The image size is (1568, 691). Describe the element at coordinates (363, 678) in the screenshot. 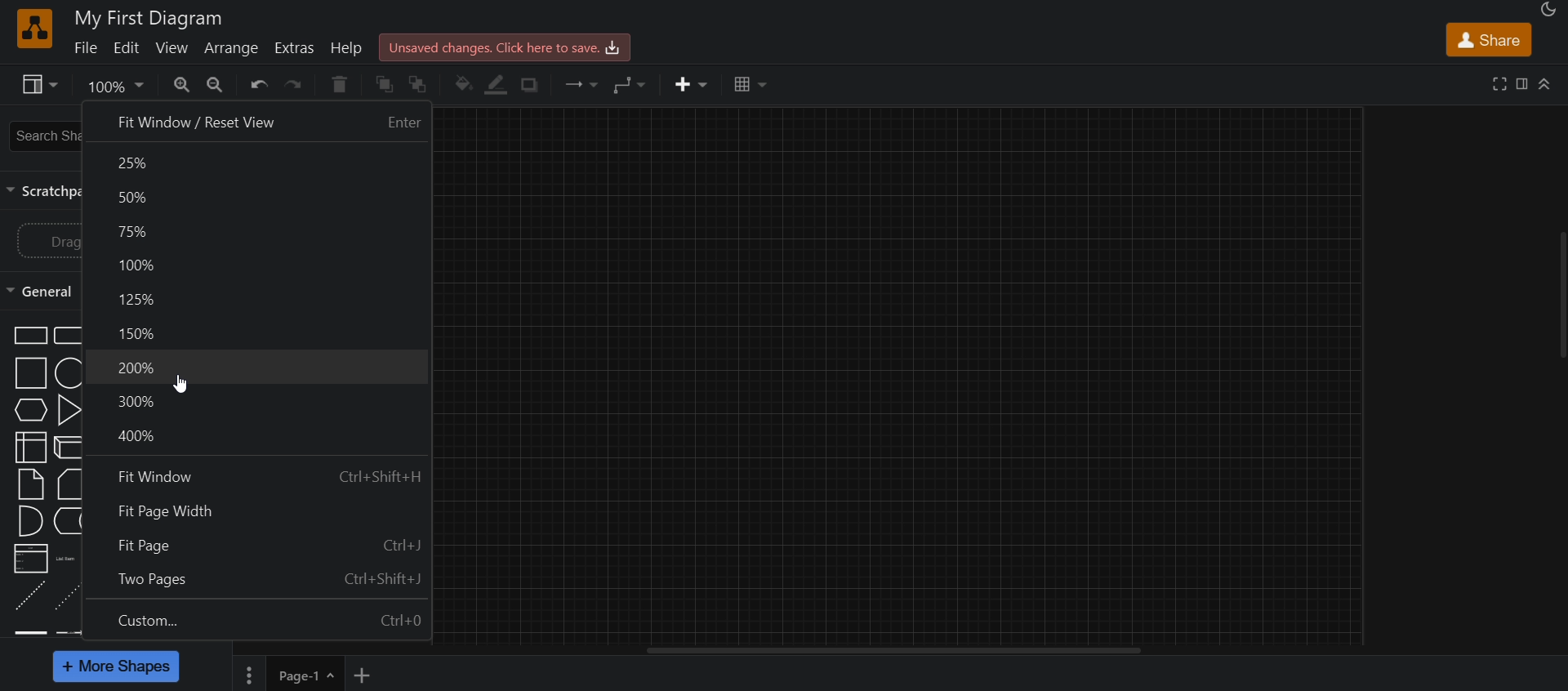

I see `new page` at that location.